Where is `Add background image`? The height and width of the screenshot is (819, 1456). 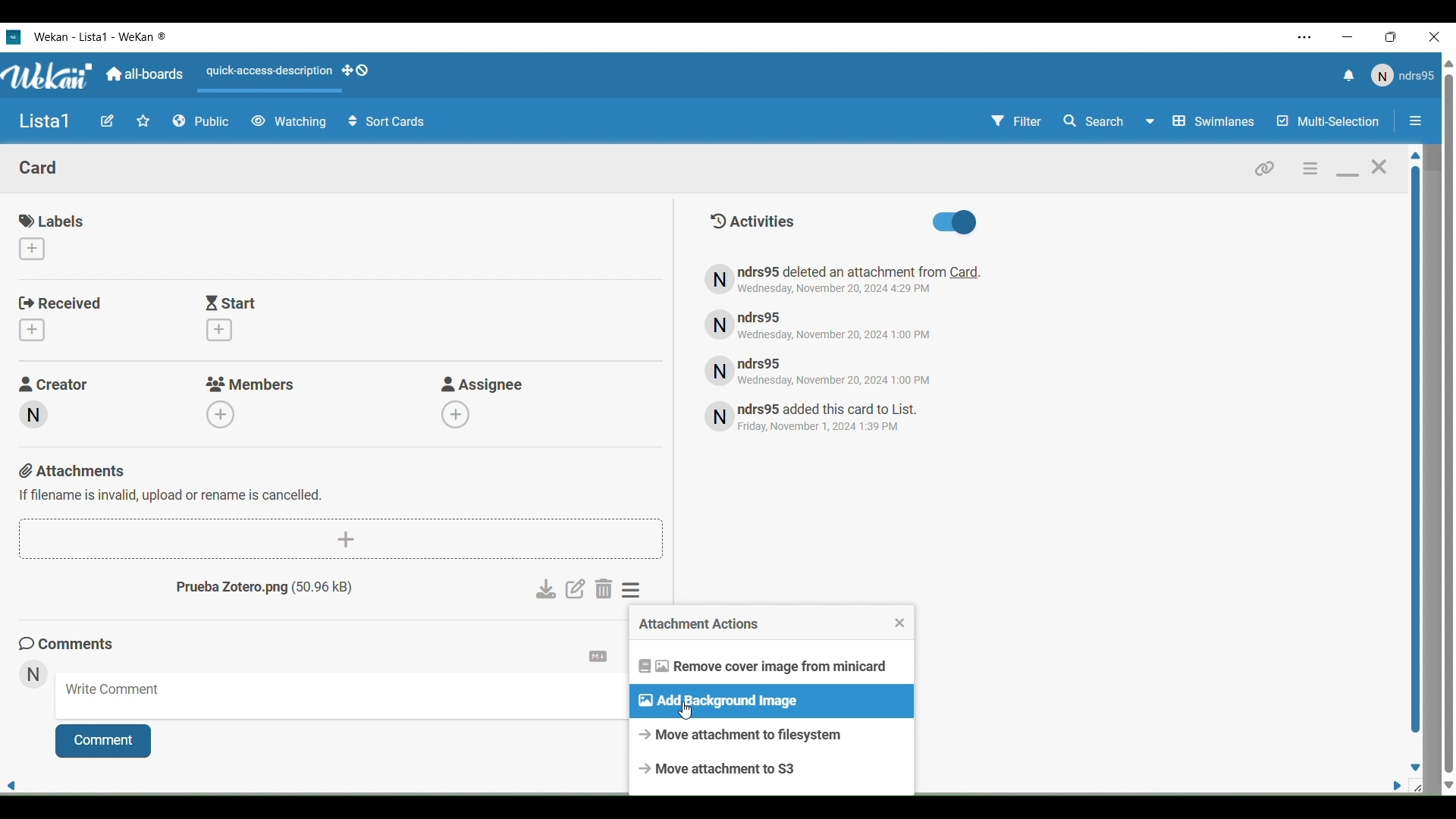 Add background image is located at coordinates (772, 701).